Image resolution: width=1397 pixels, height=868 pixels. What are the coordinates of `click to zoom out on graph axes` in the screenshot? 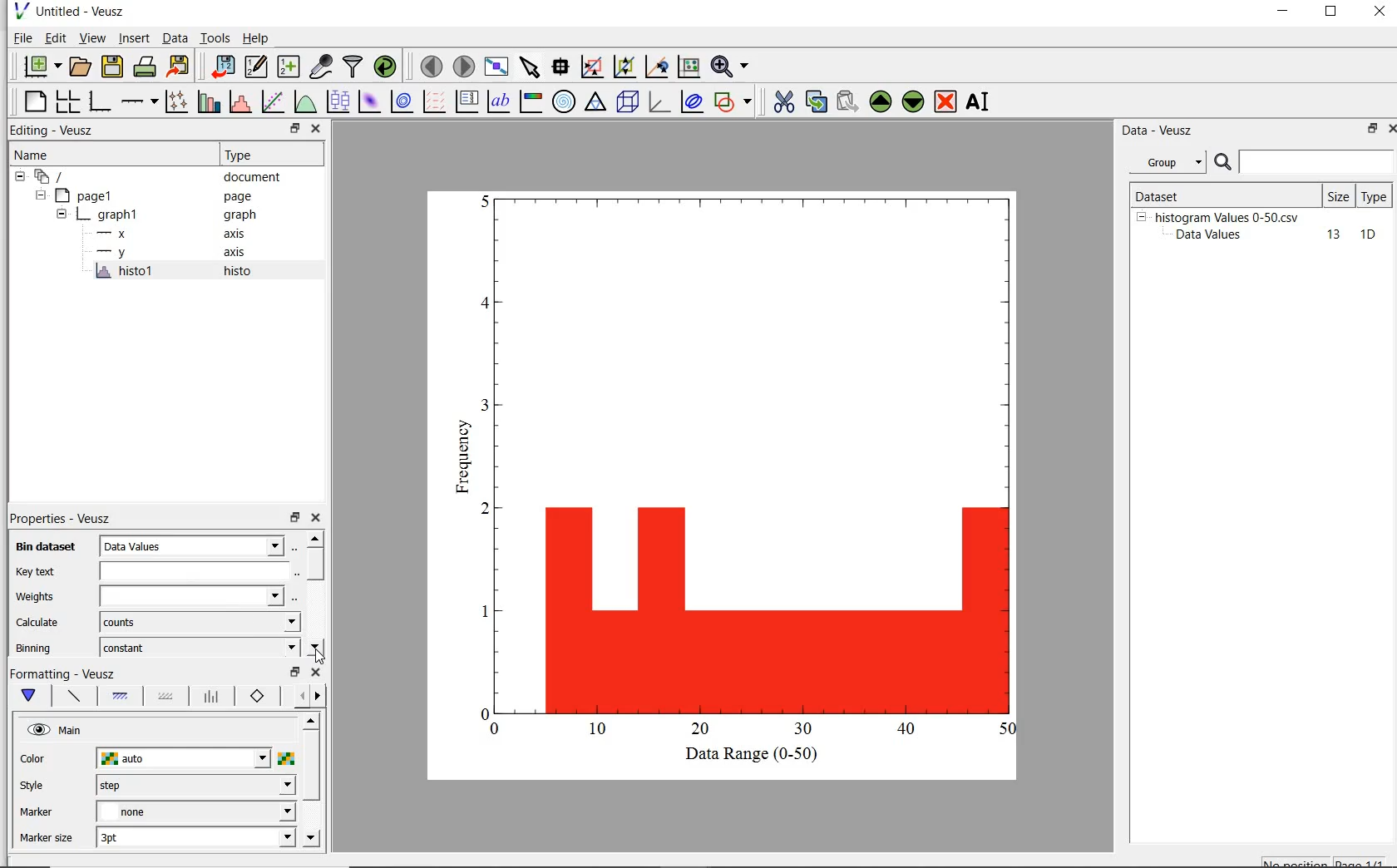 It's located at (656, 67).